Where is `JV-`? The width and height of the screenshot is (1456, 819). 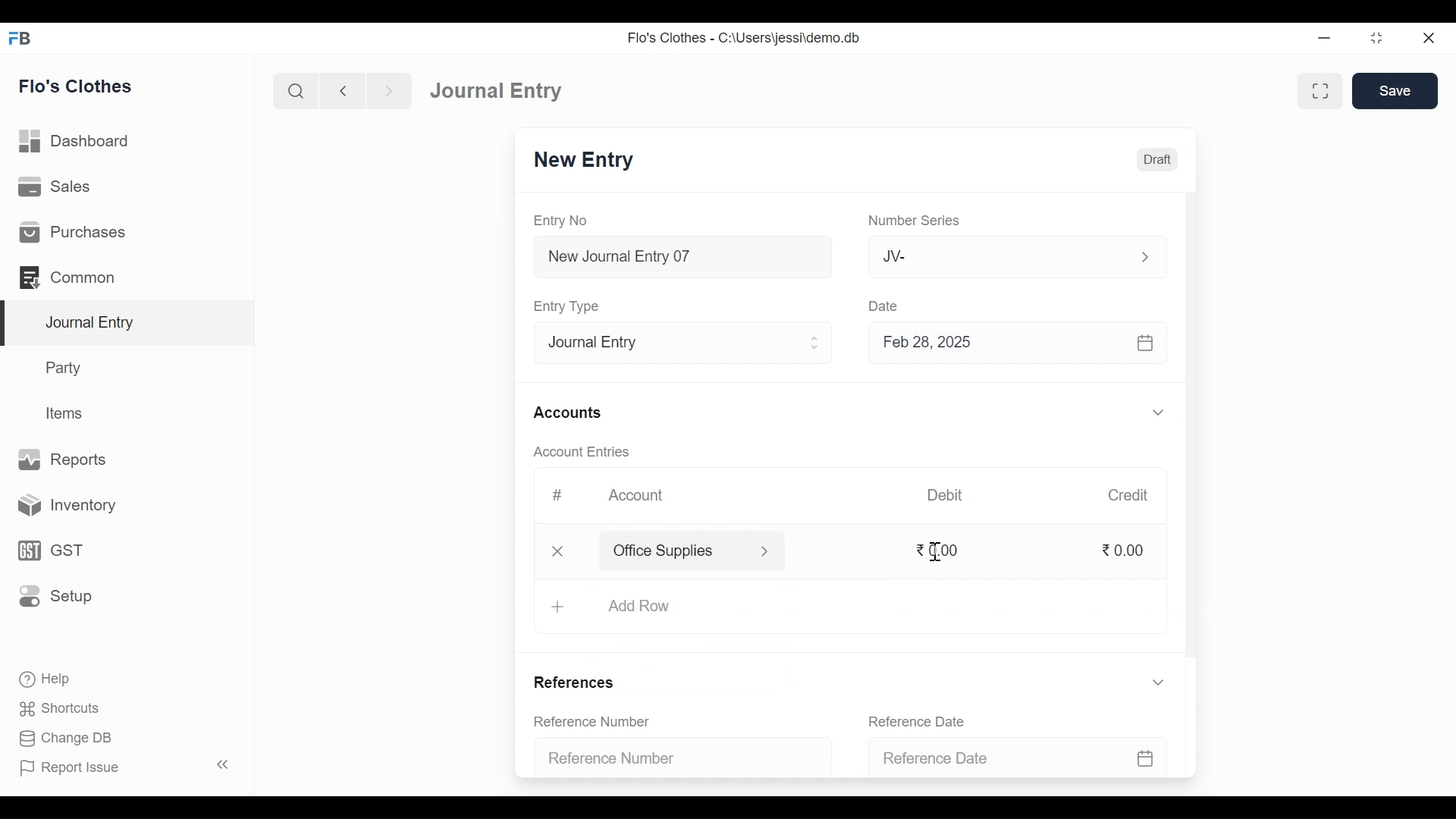 JV- is located at coordinates (990, 257).